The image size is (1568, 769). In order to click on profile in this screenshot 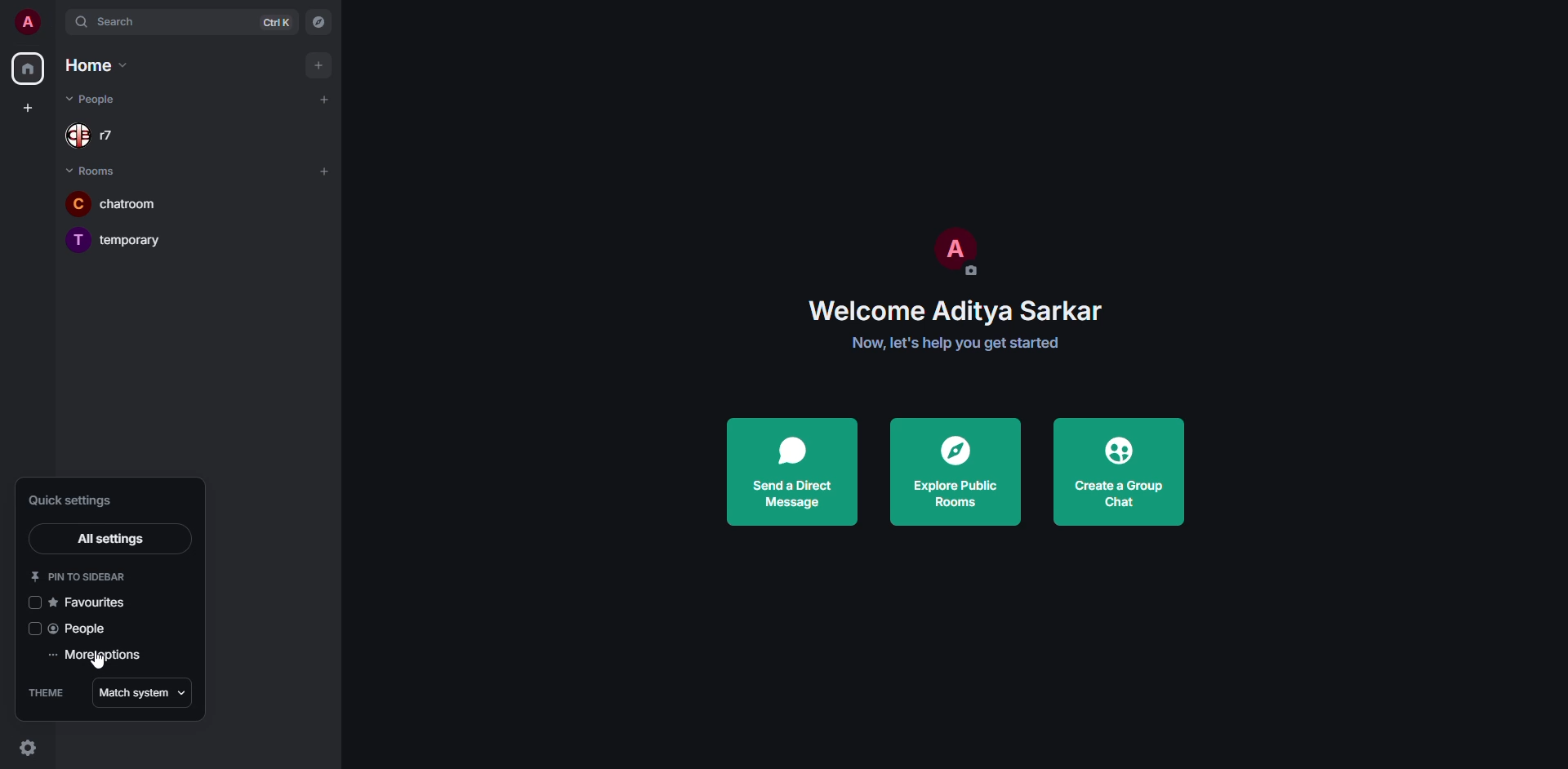, I will do `click(956, 249)`.